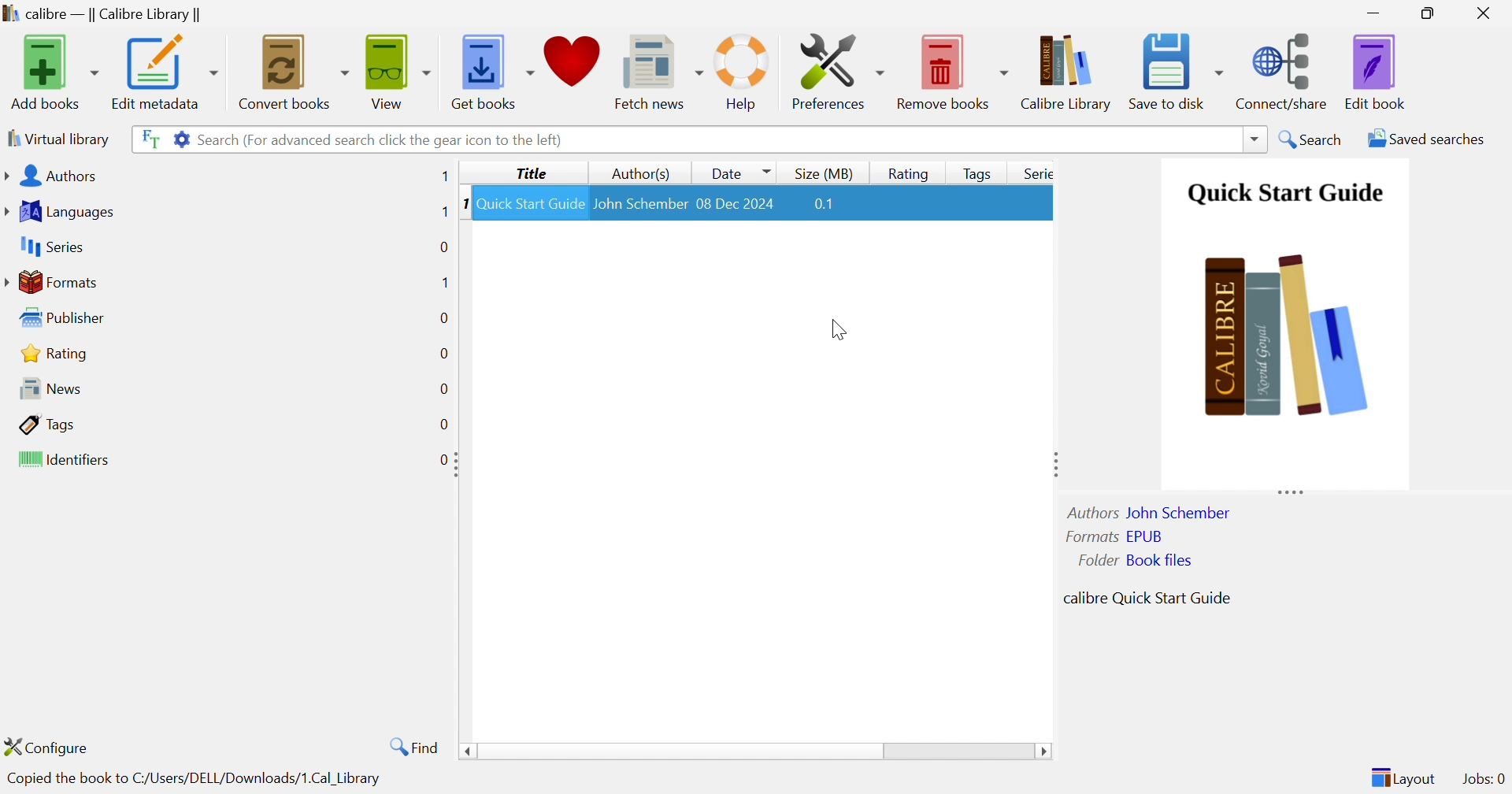  I want to click on Scroll Left, so click(465, 752).